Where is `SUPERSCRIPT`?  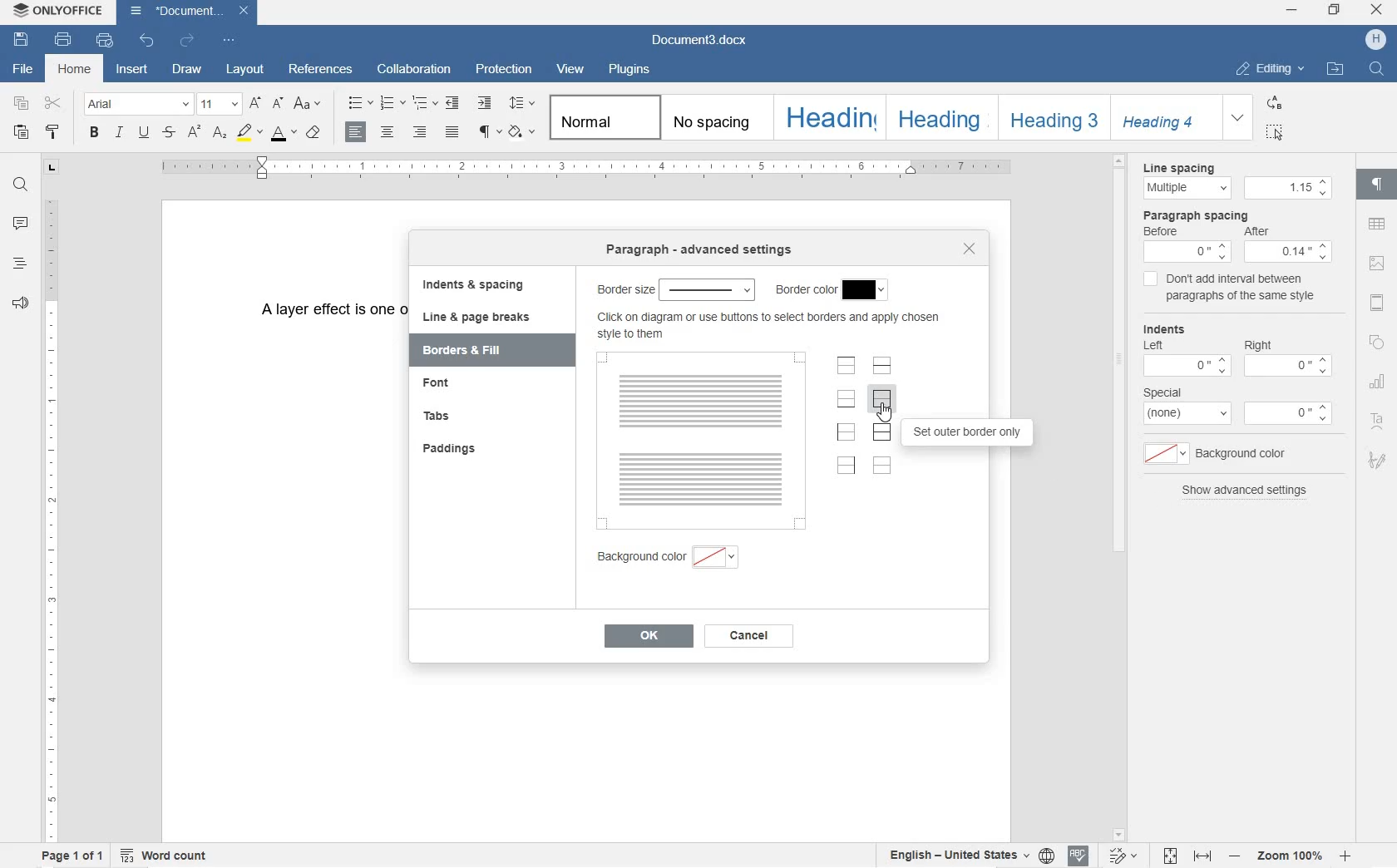
SUPERSCRIPT is located at coordinates (193, 132).